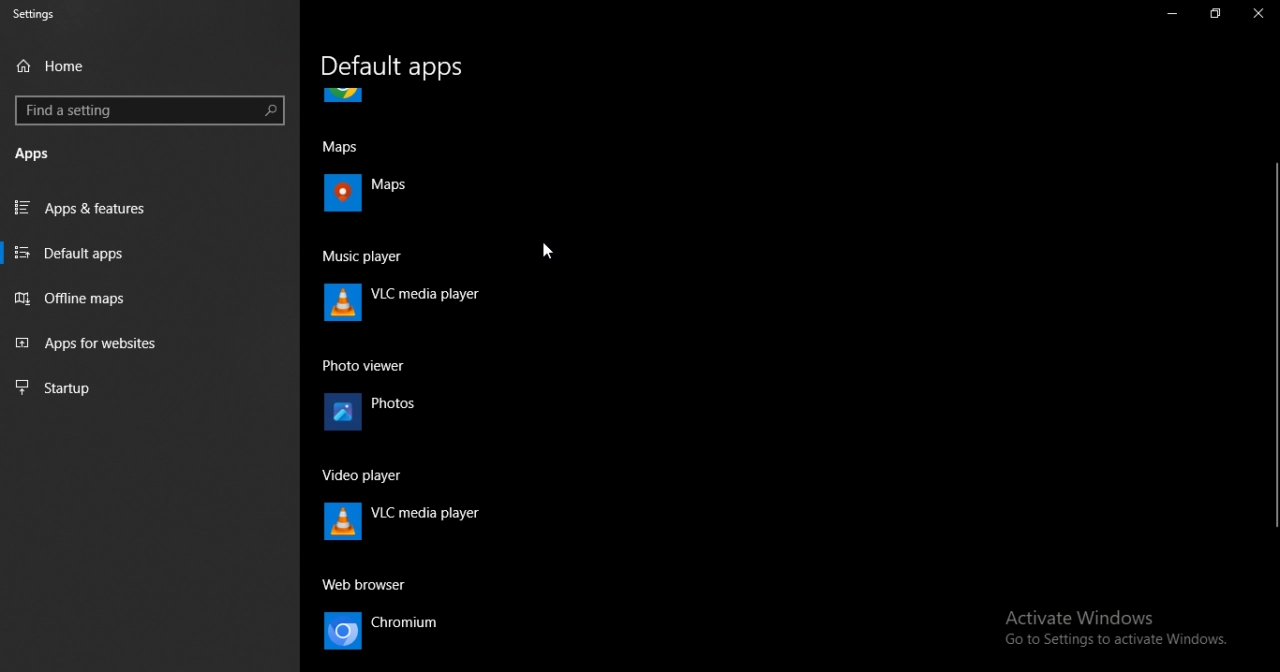 The height and width of the screenshot is (672, 1280). What do you see at coordinates (153, 65) in the screenshot?
I see `home` at bounding box center [153, 65].